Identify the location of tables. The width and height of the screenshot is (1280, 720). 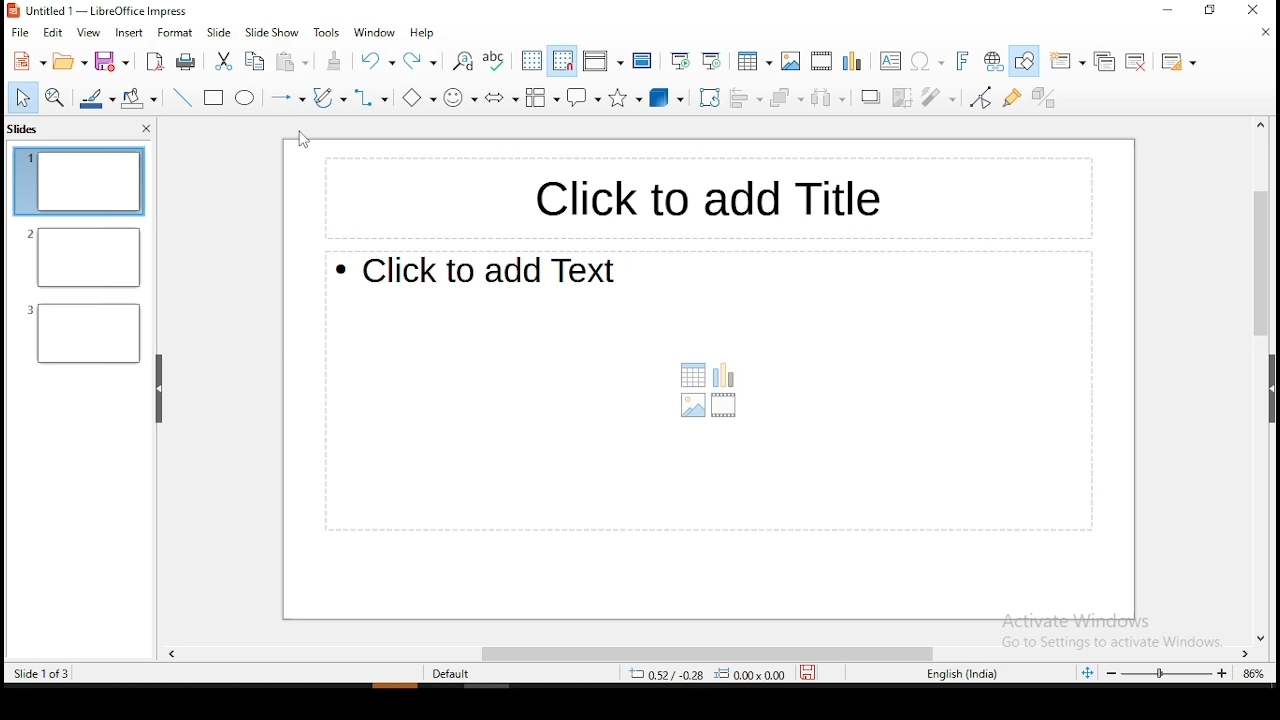
(754, 61).